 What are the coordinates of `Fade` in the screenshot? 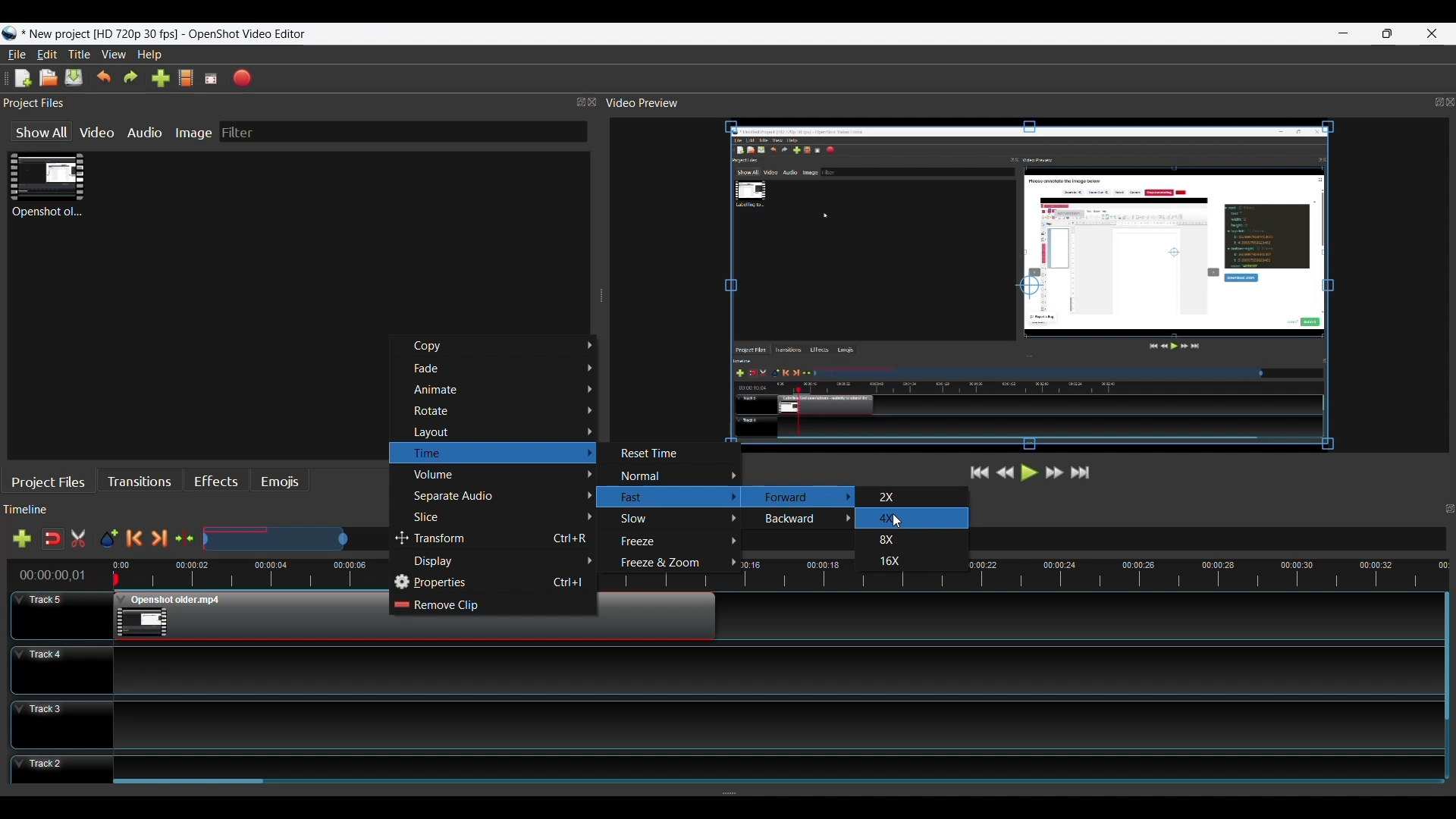 It's located at (504, 369).